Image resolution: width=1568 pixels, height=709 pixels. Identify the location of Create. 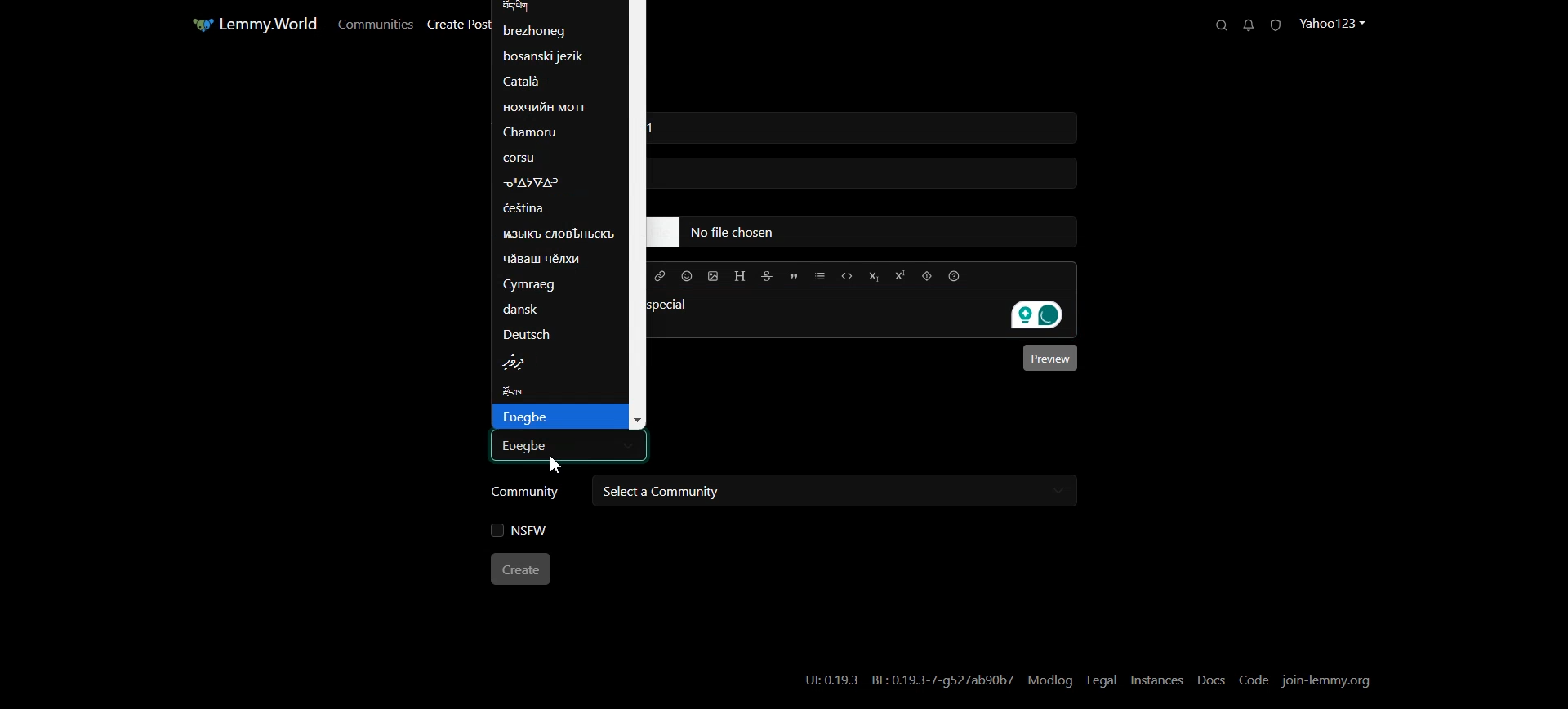
(523, 570).